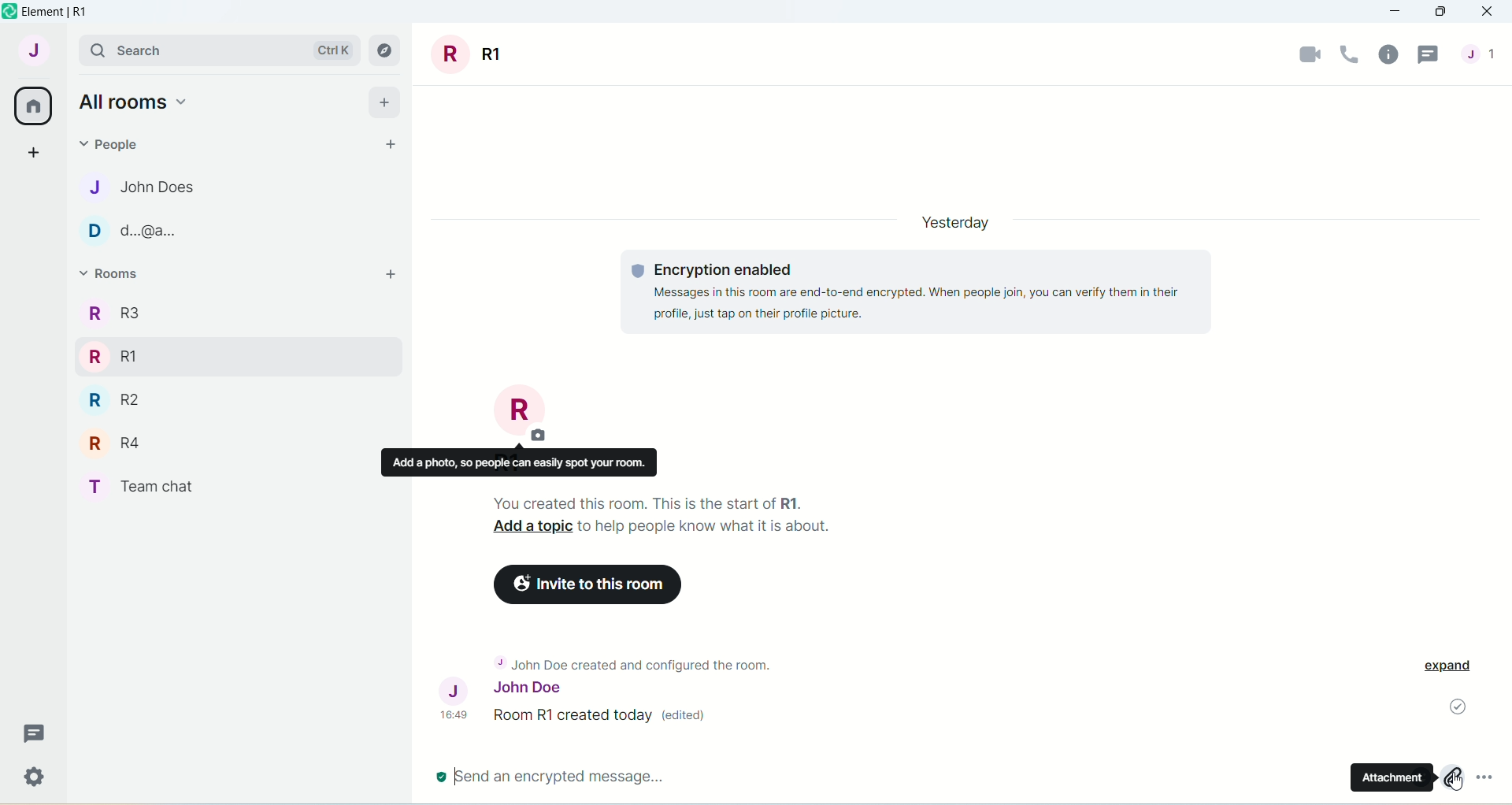  I want to click on minimize, so click(1397, 12).